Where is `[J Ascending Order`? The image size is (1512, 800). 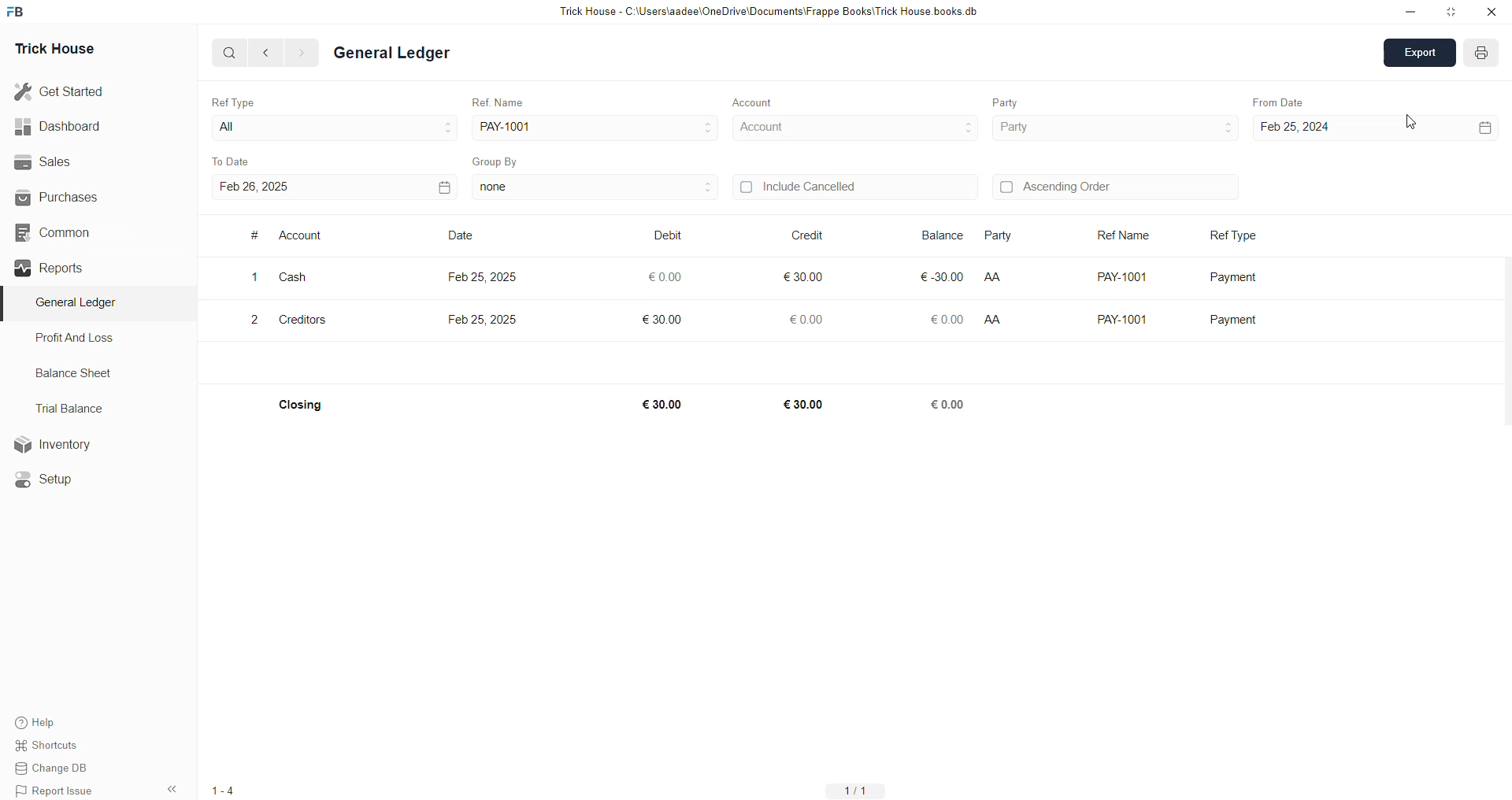 [J Ascending Order is located at coordinates (1114, 187).